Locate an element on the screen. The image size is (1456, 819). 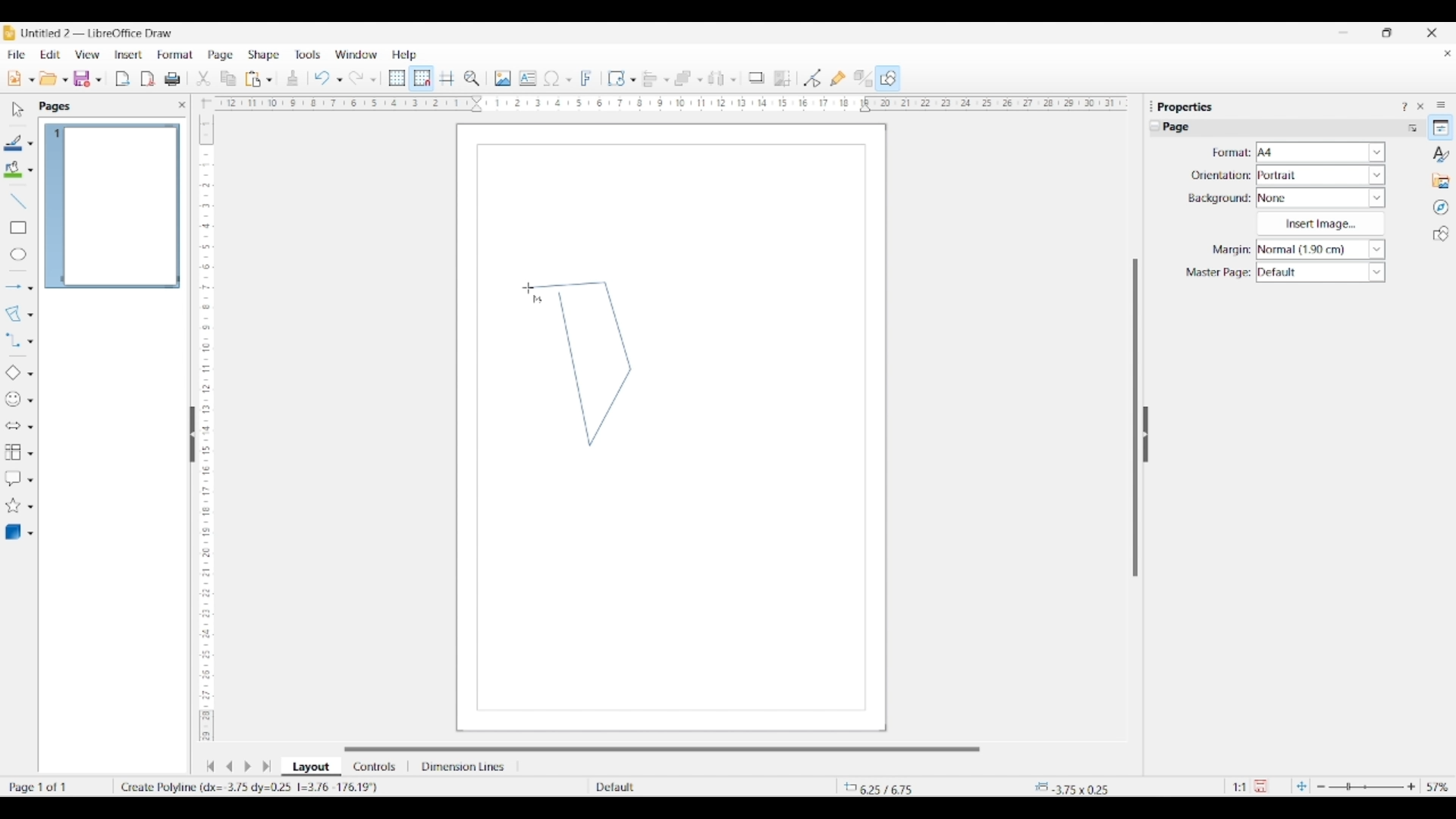
Dimension lines is located at coordinates (464, 767).